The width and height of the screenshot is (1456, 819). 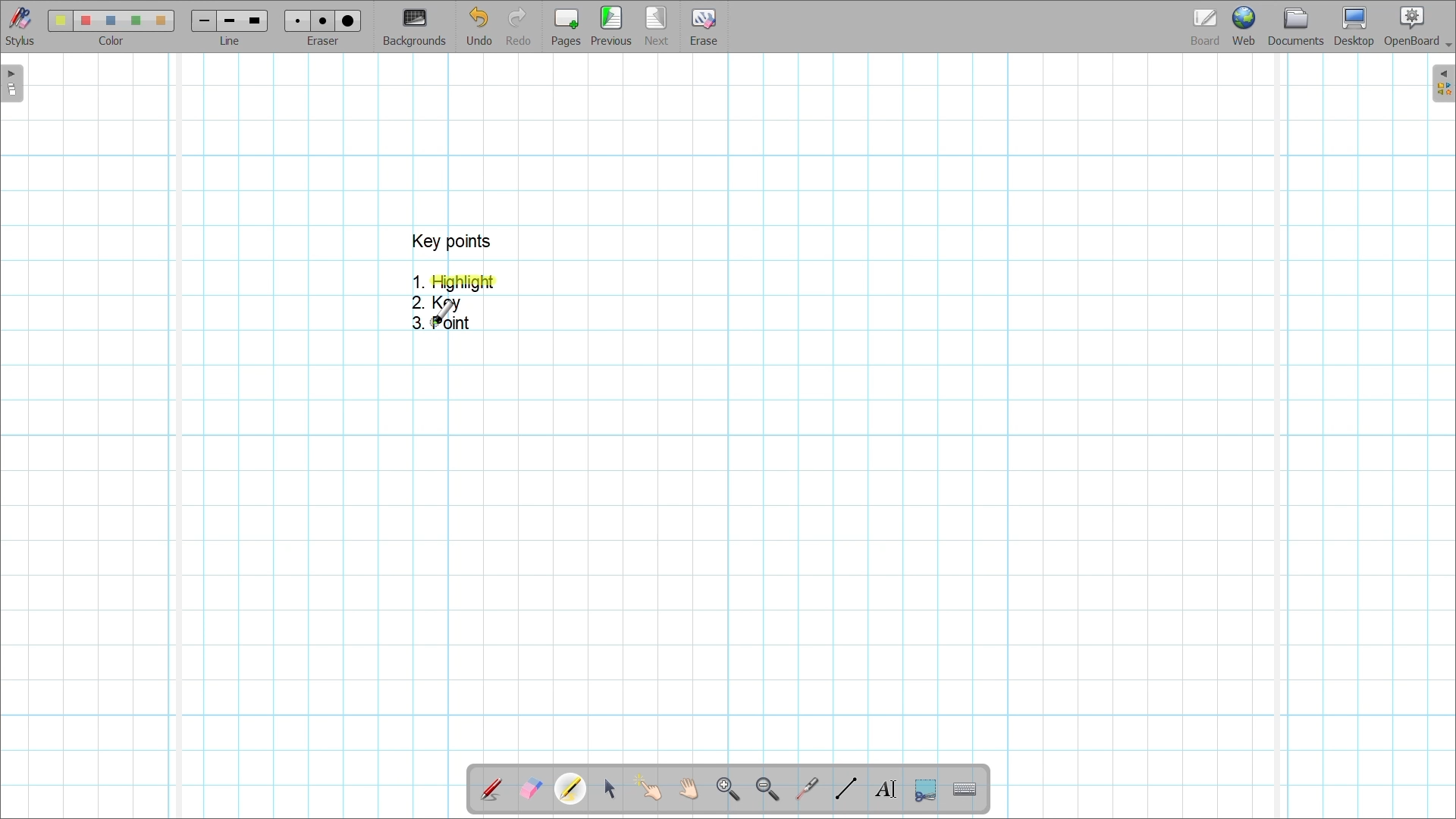 What do you see at coordinates (297, 20) in the screenshot?
I see `Eraser 1` at bounding box center [297, 20].